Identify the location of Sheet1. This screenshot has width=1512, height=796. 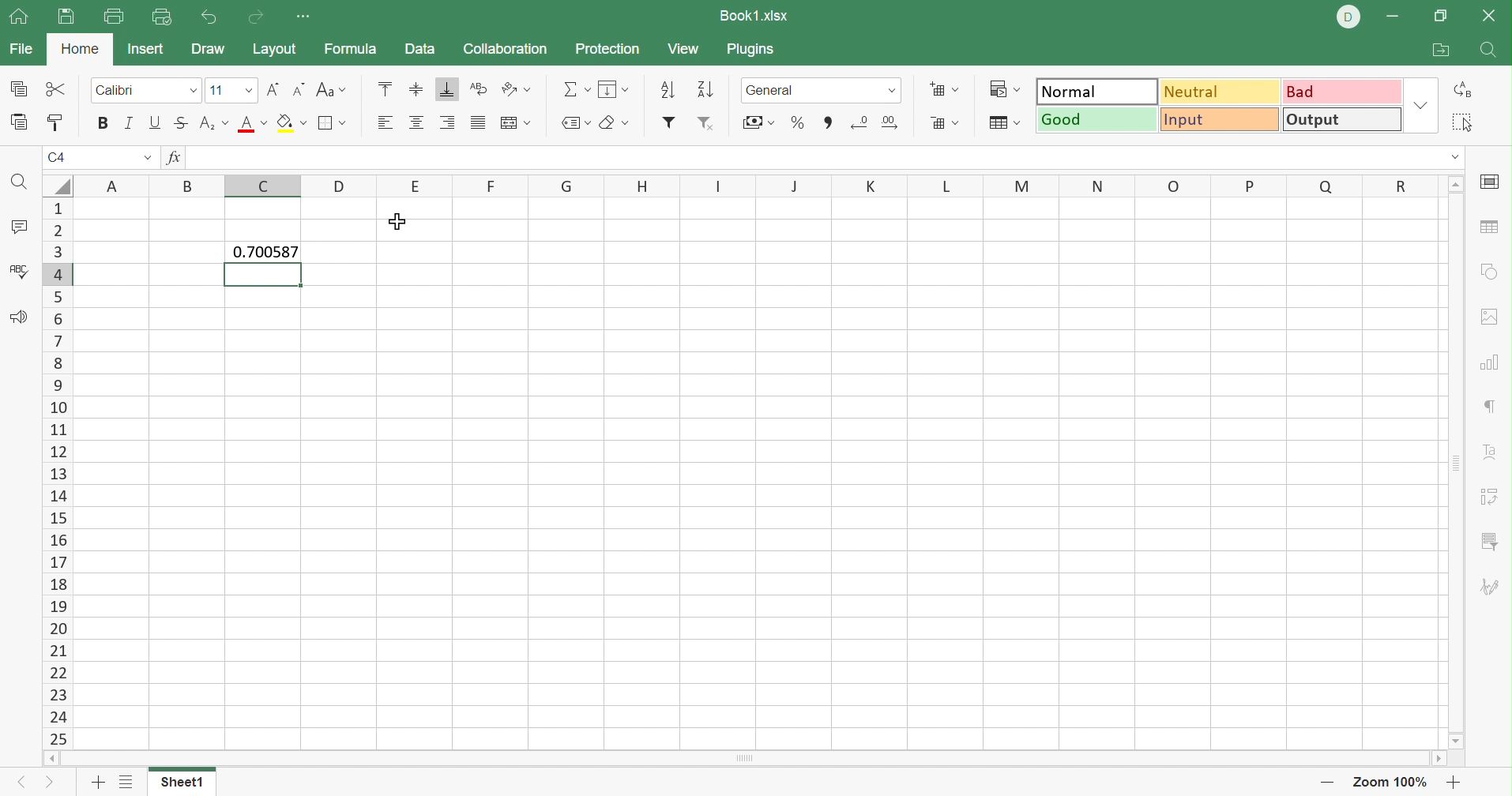
(182, 782).